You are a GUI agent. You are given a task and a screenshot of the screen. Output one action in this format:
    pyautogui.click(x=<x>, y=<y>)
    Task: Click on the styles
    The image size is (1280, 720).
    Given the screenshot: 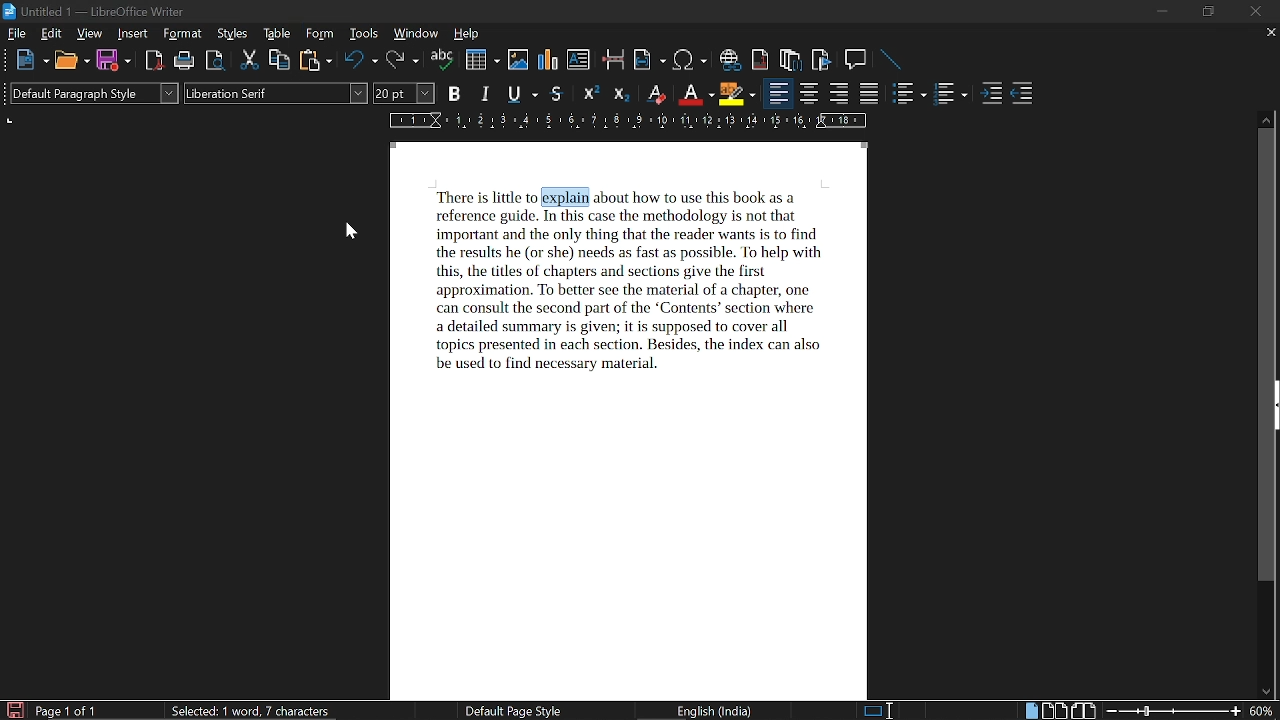 What is the action you would take?
    pyautogui.click(x=233, y=35)
    